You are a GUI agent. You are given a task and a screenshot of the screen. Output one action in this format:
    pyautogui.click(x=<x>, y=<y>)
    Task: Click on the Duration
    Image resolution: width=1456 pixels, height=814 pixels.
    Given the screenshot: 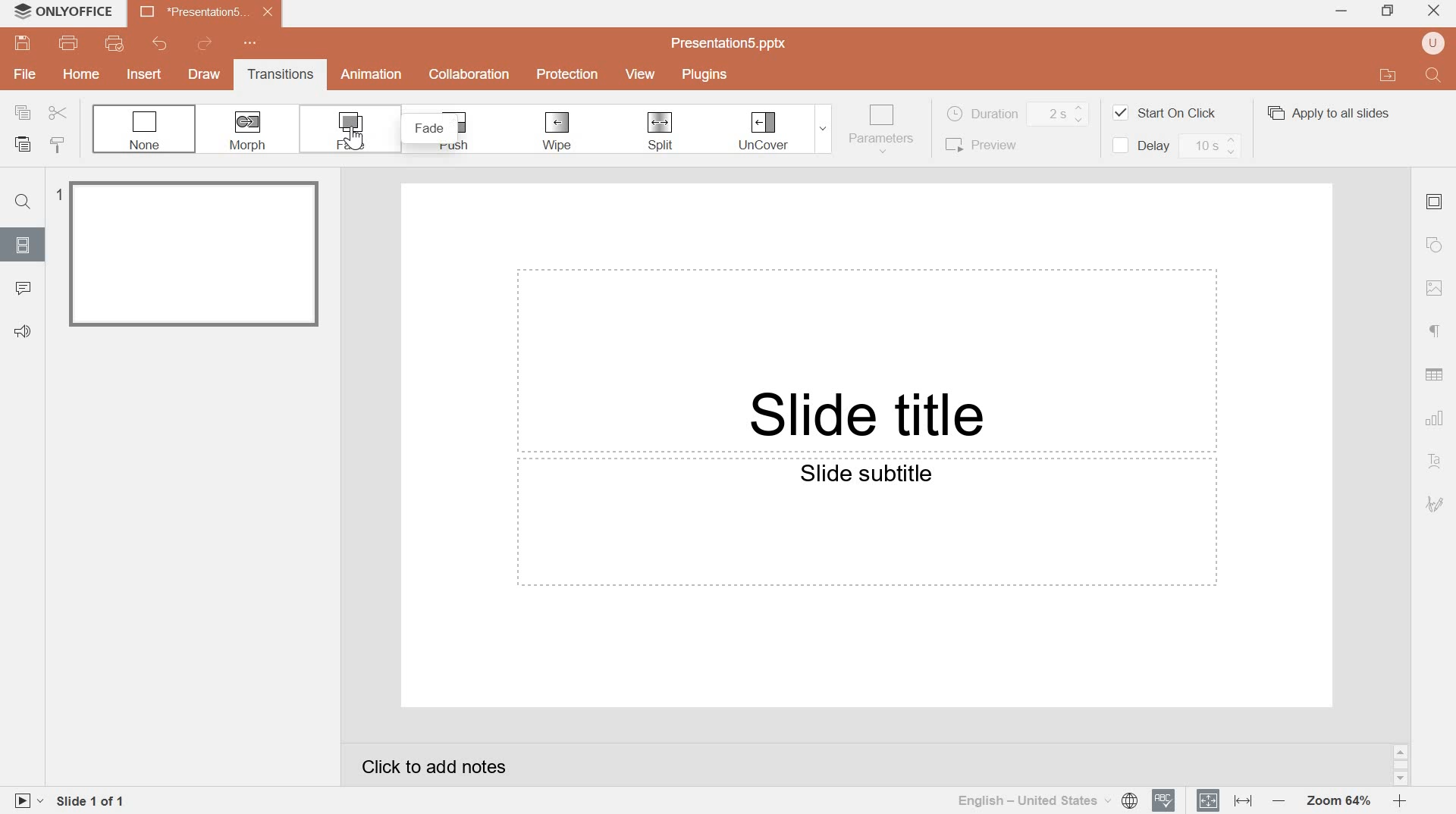 What is the action you would take?
    pyautogui.click(x=1018, y=114)
    